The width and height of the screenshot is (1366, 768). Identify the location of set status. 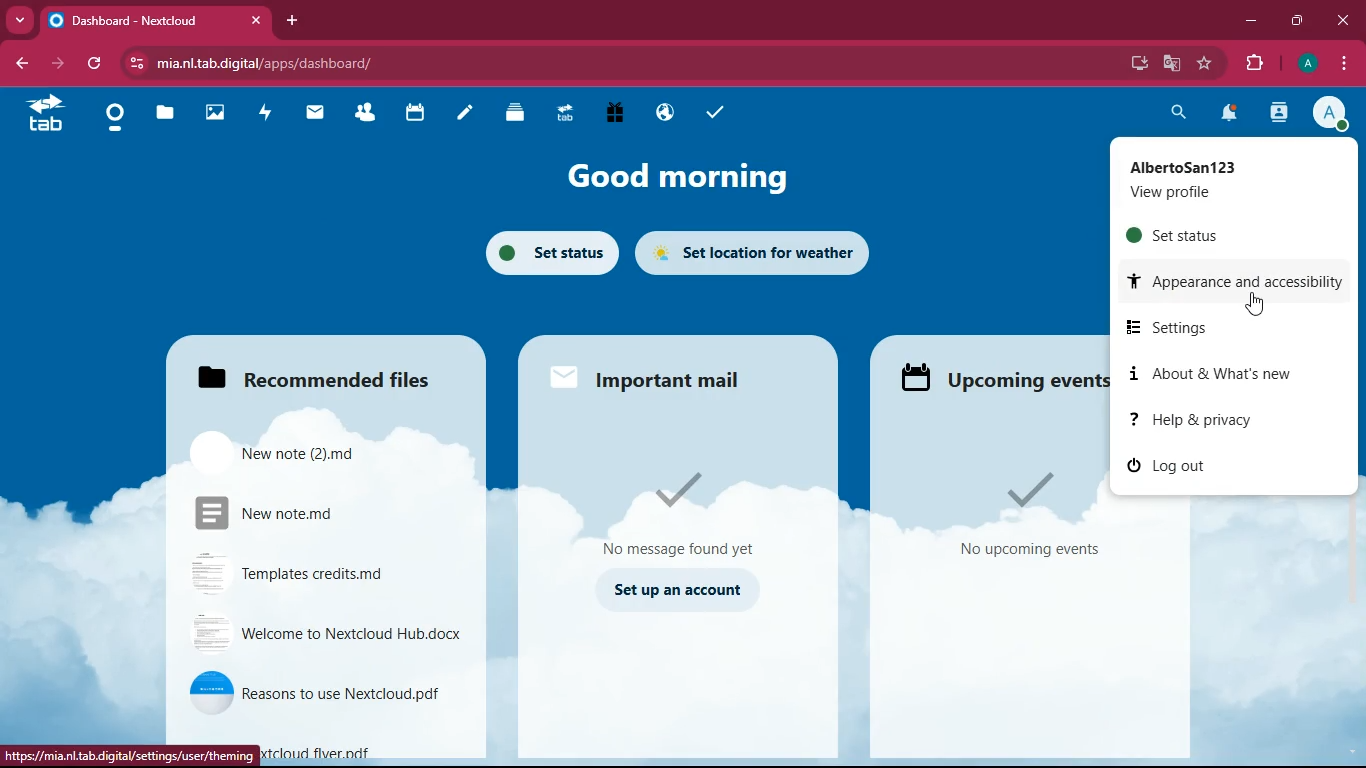
(545, 250).